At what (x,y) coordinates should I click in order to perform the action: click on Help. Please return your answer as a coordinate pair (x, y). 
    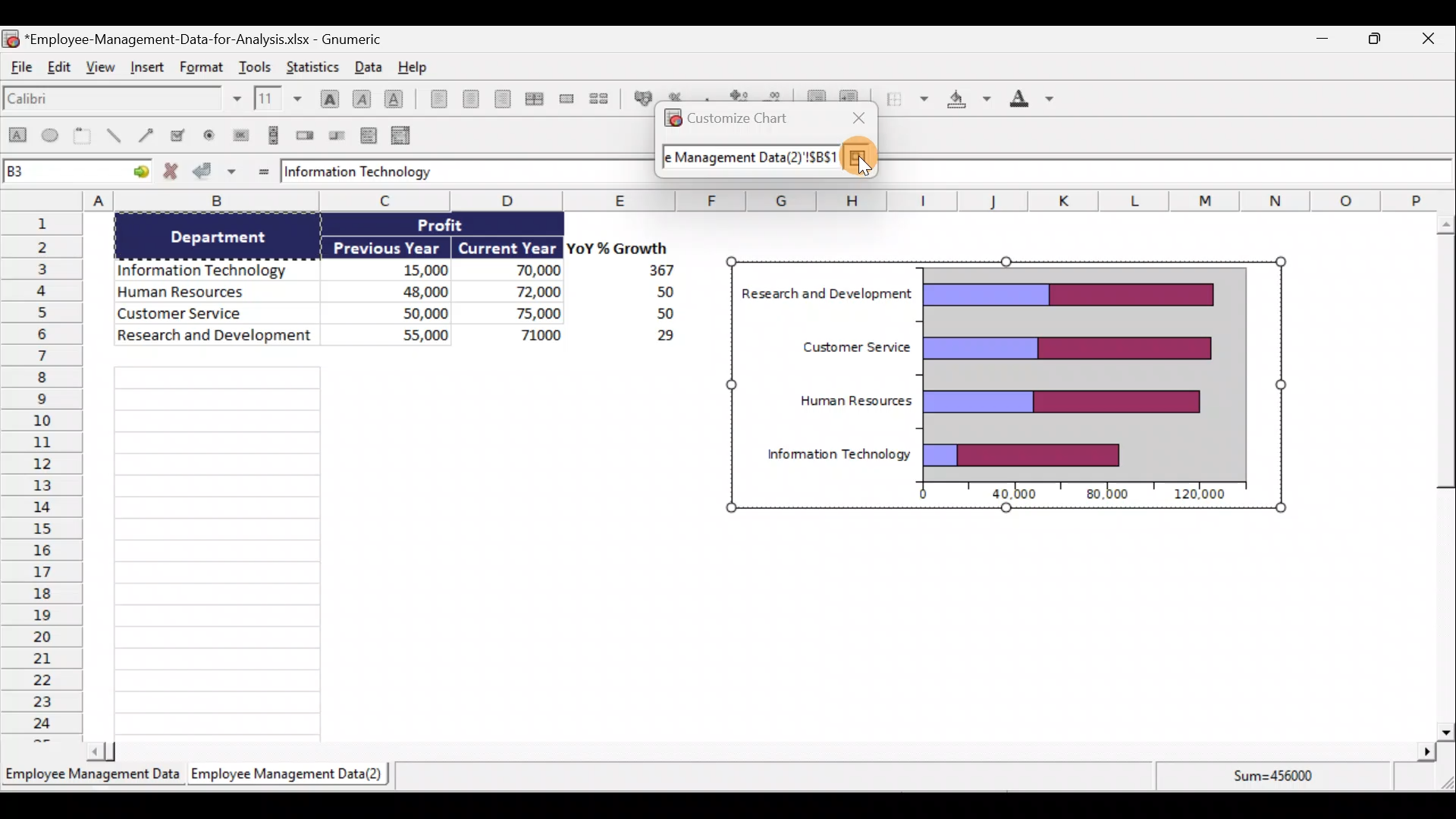
    Looking at the image, I should click on (413, 66).